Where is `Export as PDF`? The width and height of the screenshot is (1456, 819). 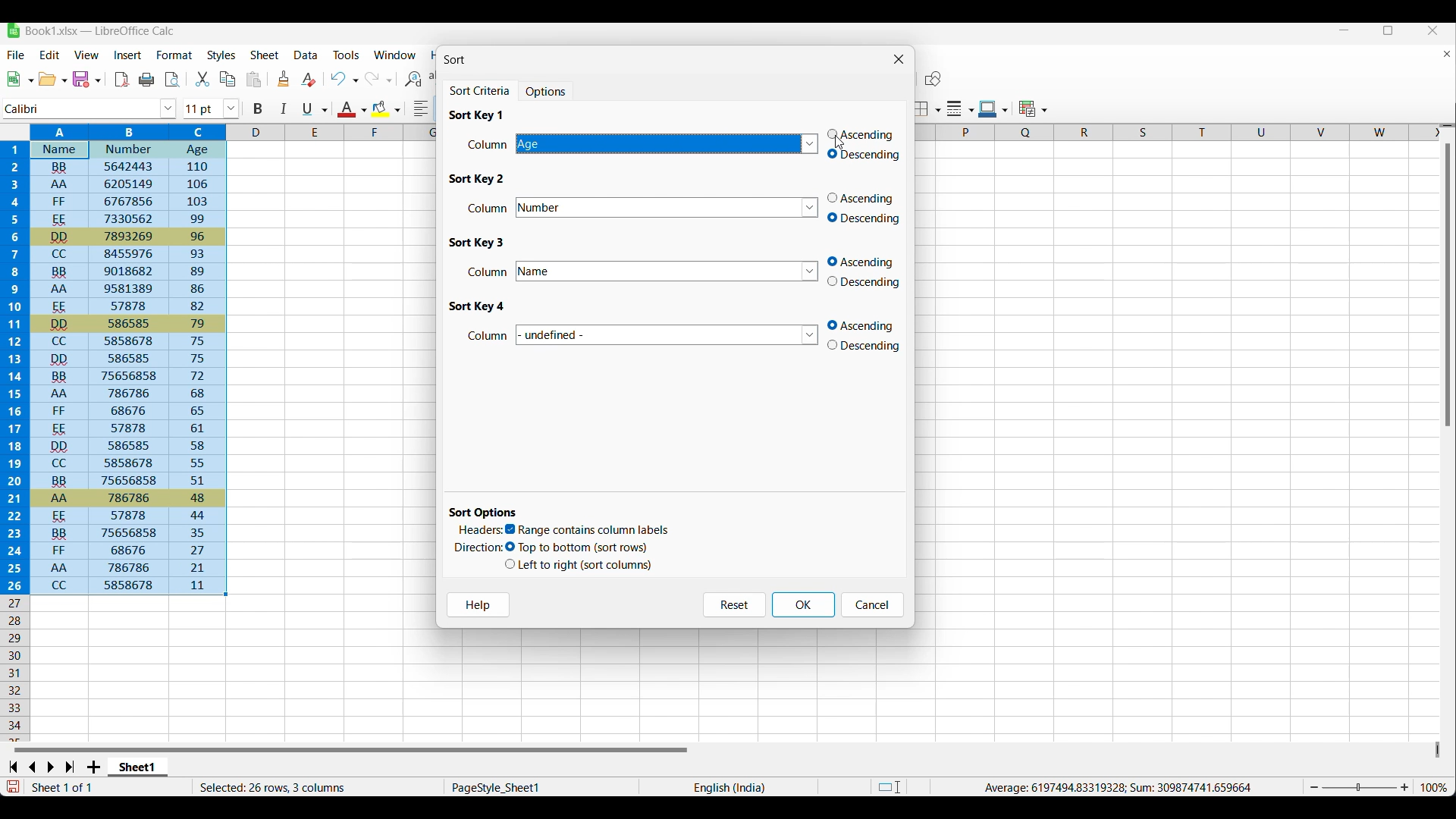
Export as PDF is located at coordinates (123, 80).